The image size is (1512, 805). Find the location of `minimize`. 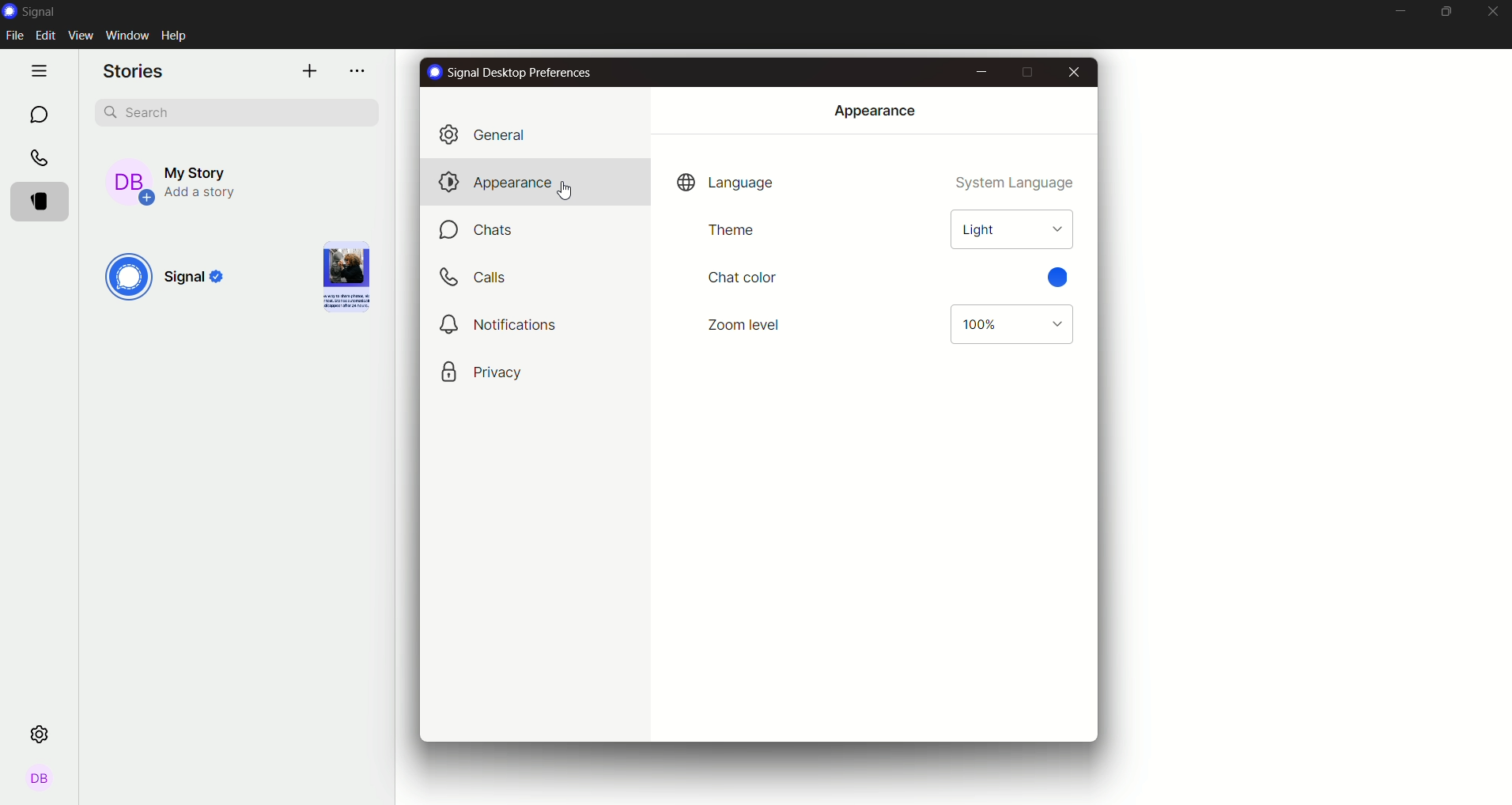

minimize is located at coordinates (981, 70).